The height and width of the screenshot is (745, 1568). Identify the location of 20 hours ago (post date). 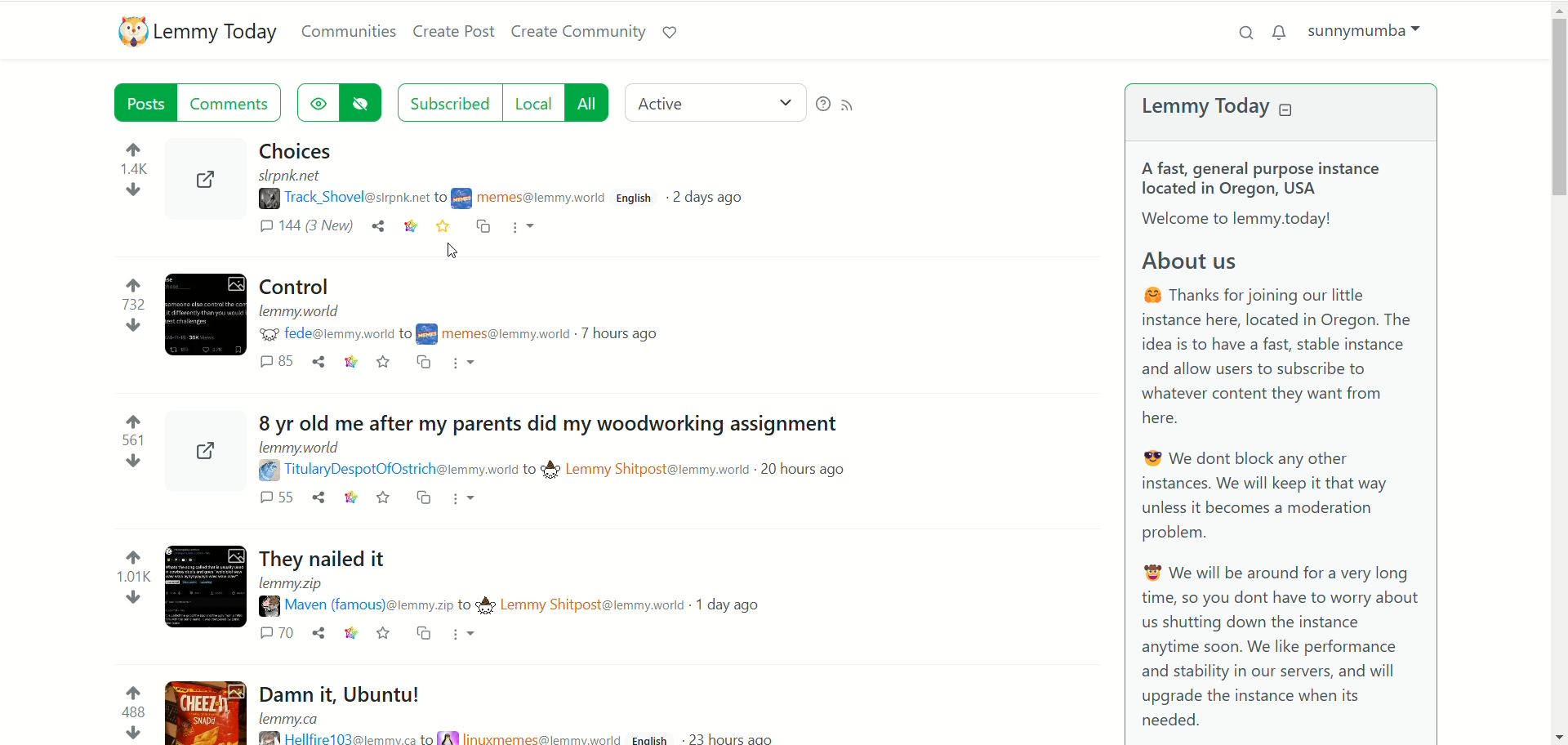
(806, 475).